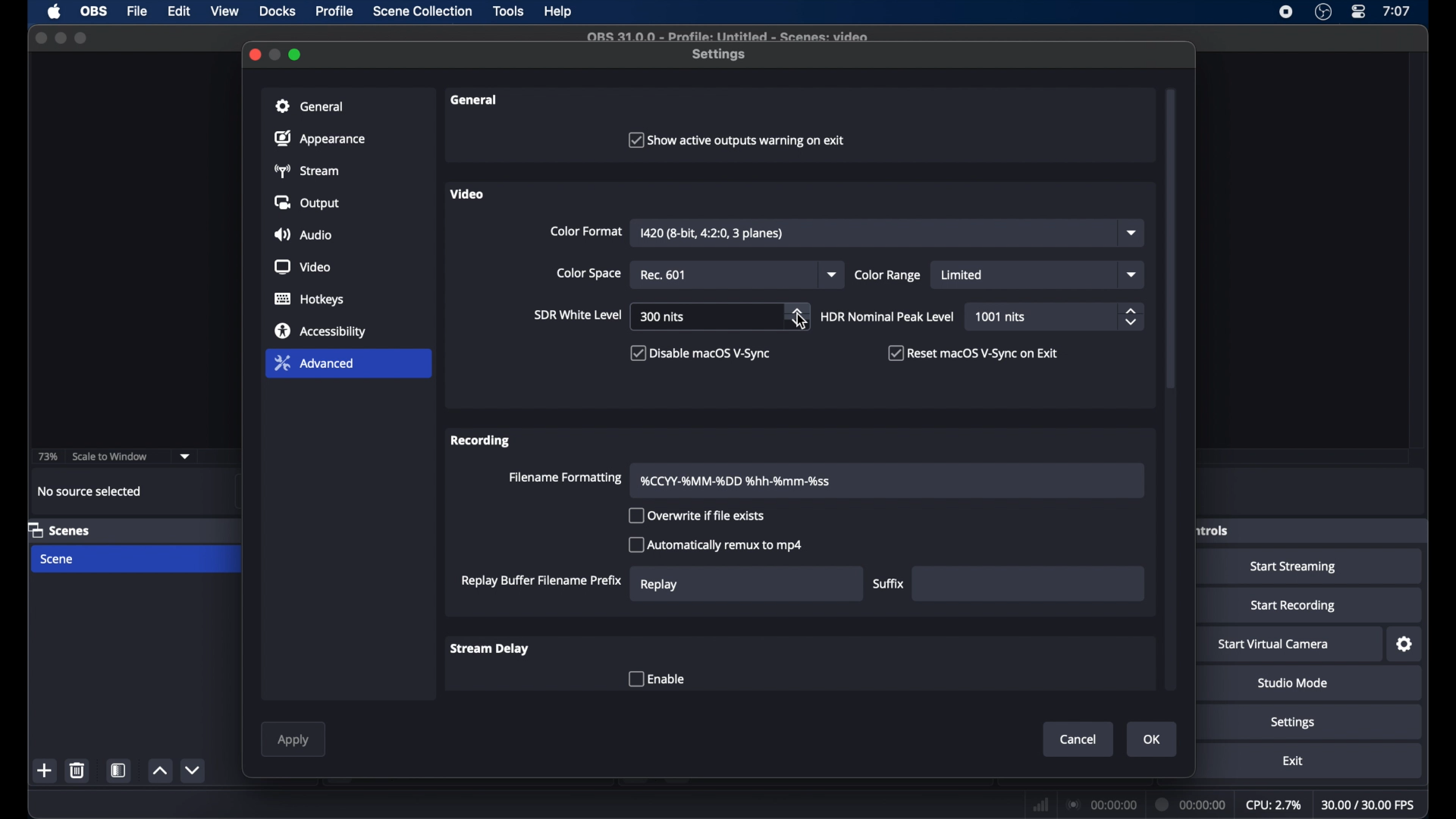  Describe the element at coordinates (697, 516) in the screenshot. I see `checkbox` at that location.